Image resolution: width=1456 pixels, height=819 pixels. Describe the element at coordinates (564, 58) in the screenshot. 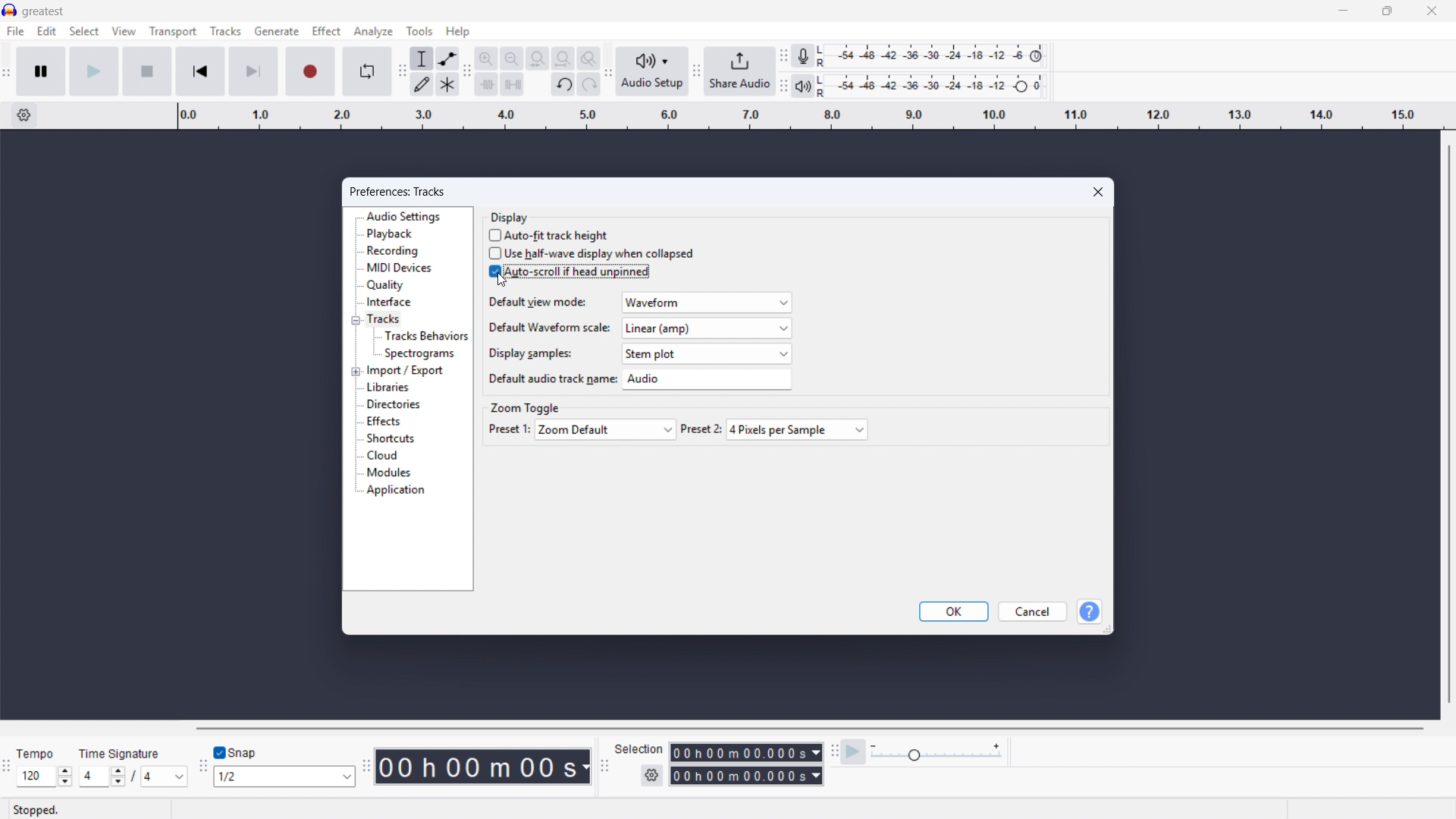

I see `Fit project to width ` at that location.